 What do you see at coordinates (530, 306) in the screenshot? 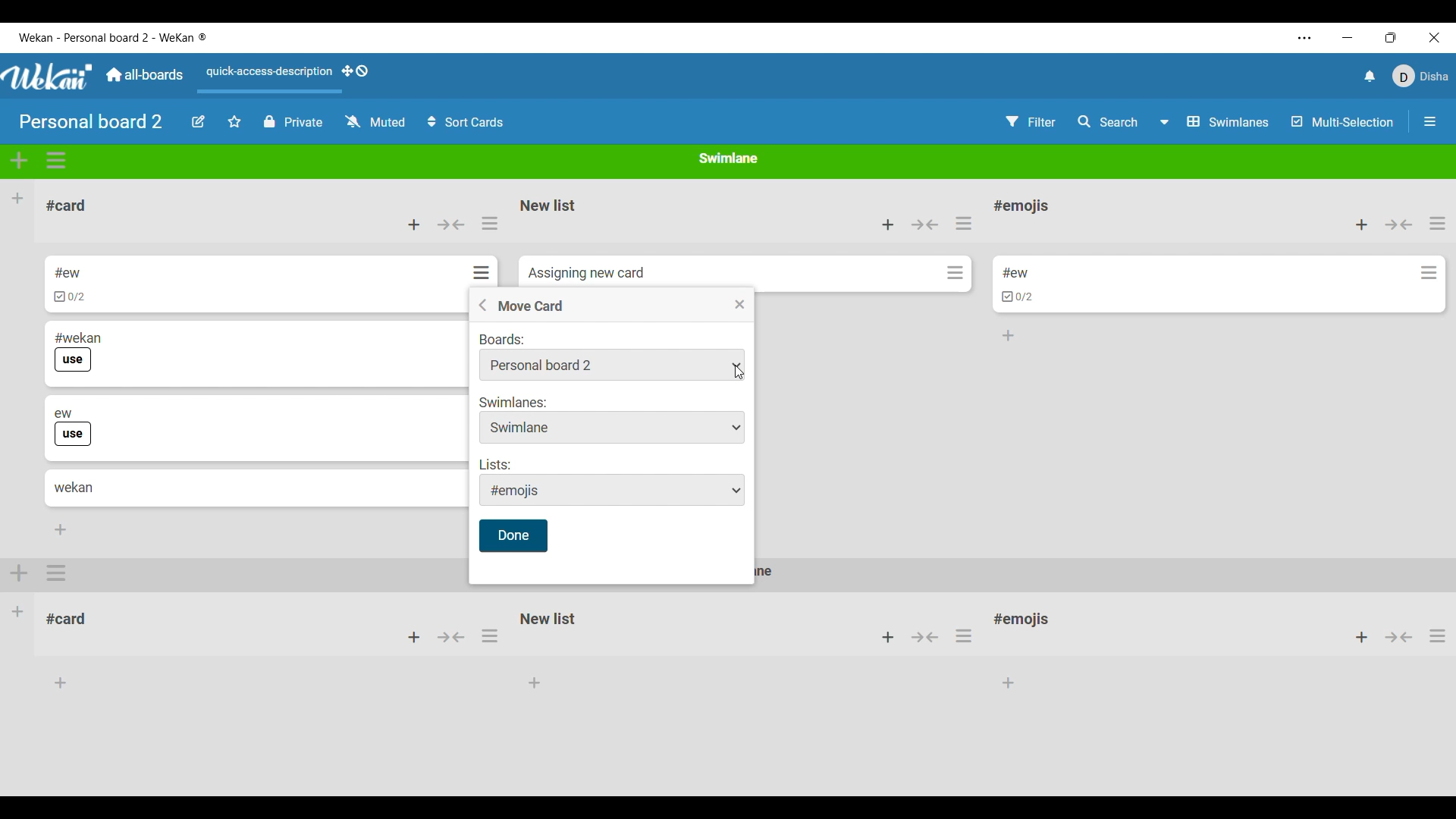
I see `Title of current menu` at bounding box center [530, 306].